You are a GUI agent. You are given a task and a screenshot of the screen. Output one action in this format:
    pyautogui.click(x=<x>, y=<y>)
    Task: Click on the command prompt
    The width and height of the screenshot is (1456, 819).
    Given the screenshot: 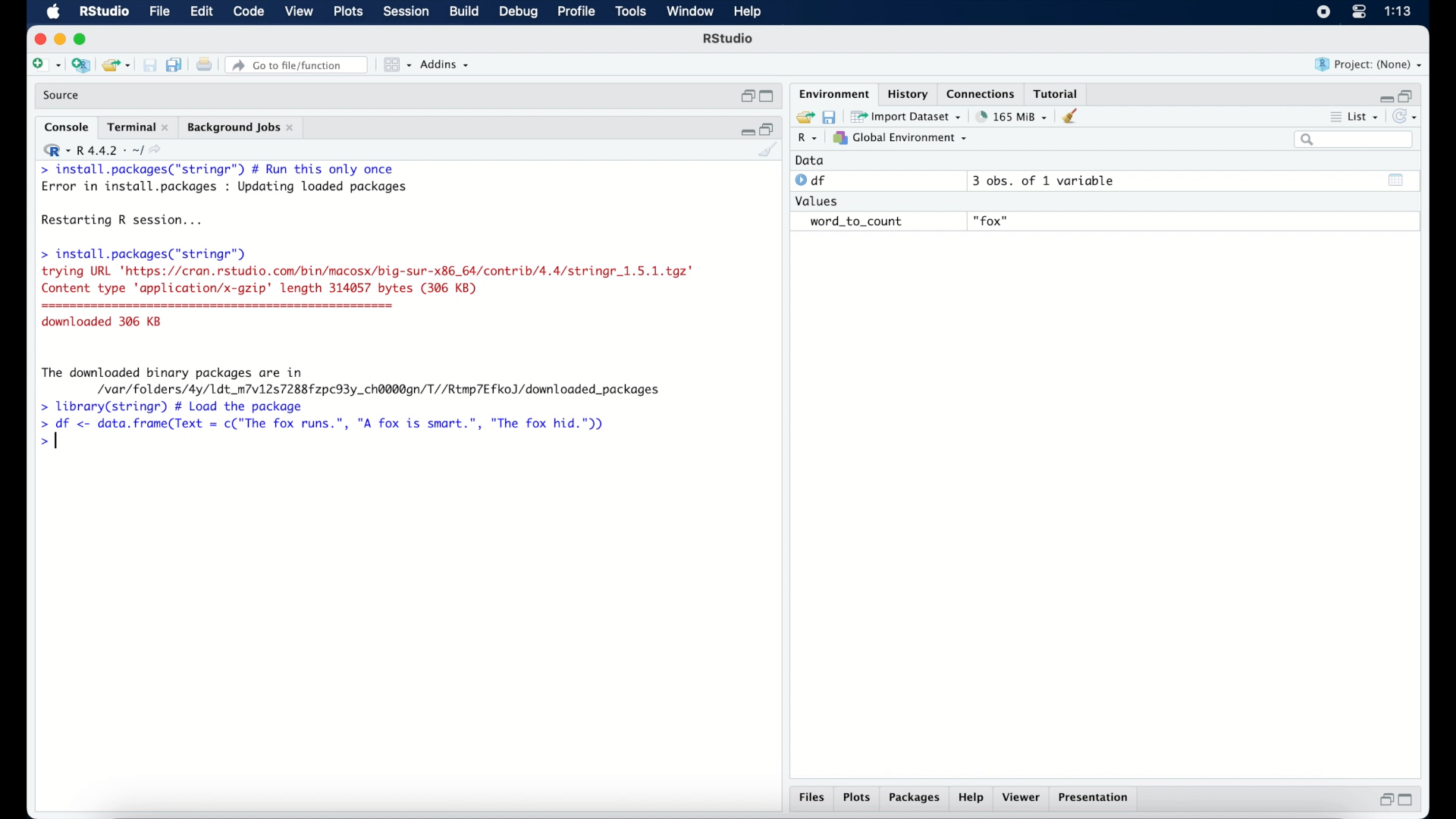 What is the action you would take?
    pyautogui.click(x=46, y=442)
    